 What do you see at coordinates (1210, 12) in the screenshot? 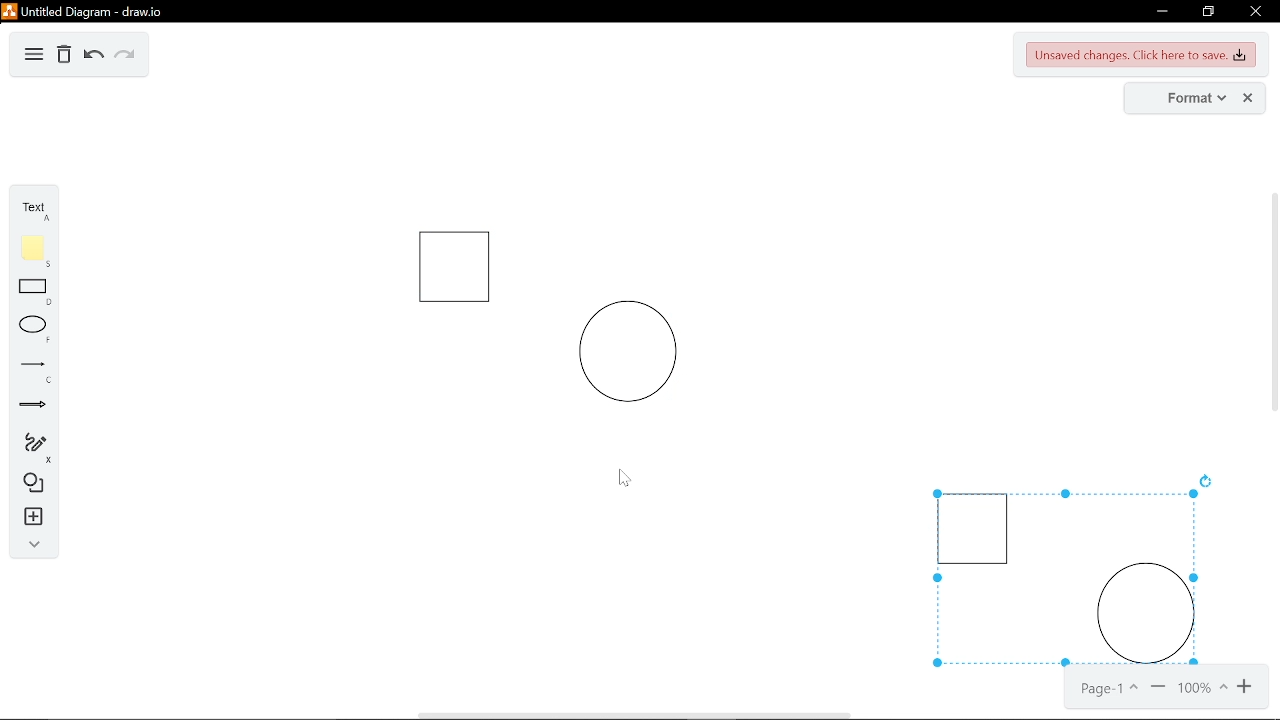
I see `restore down` at bounding box center [1210, 12].